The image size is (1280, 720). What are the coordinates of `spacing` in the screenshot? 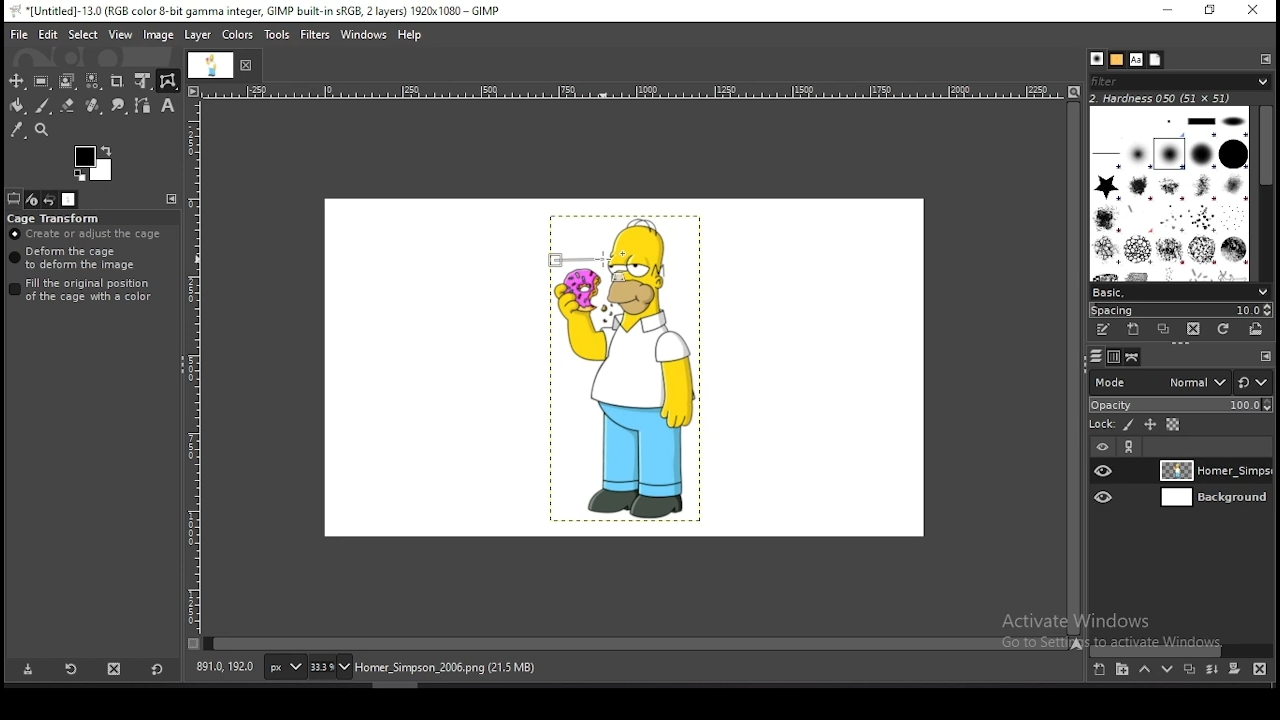 It's located at (1180, 309).